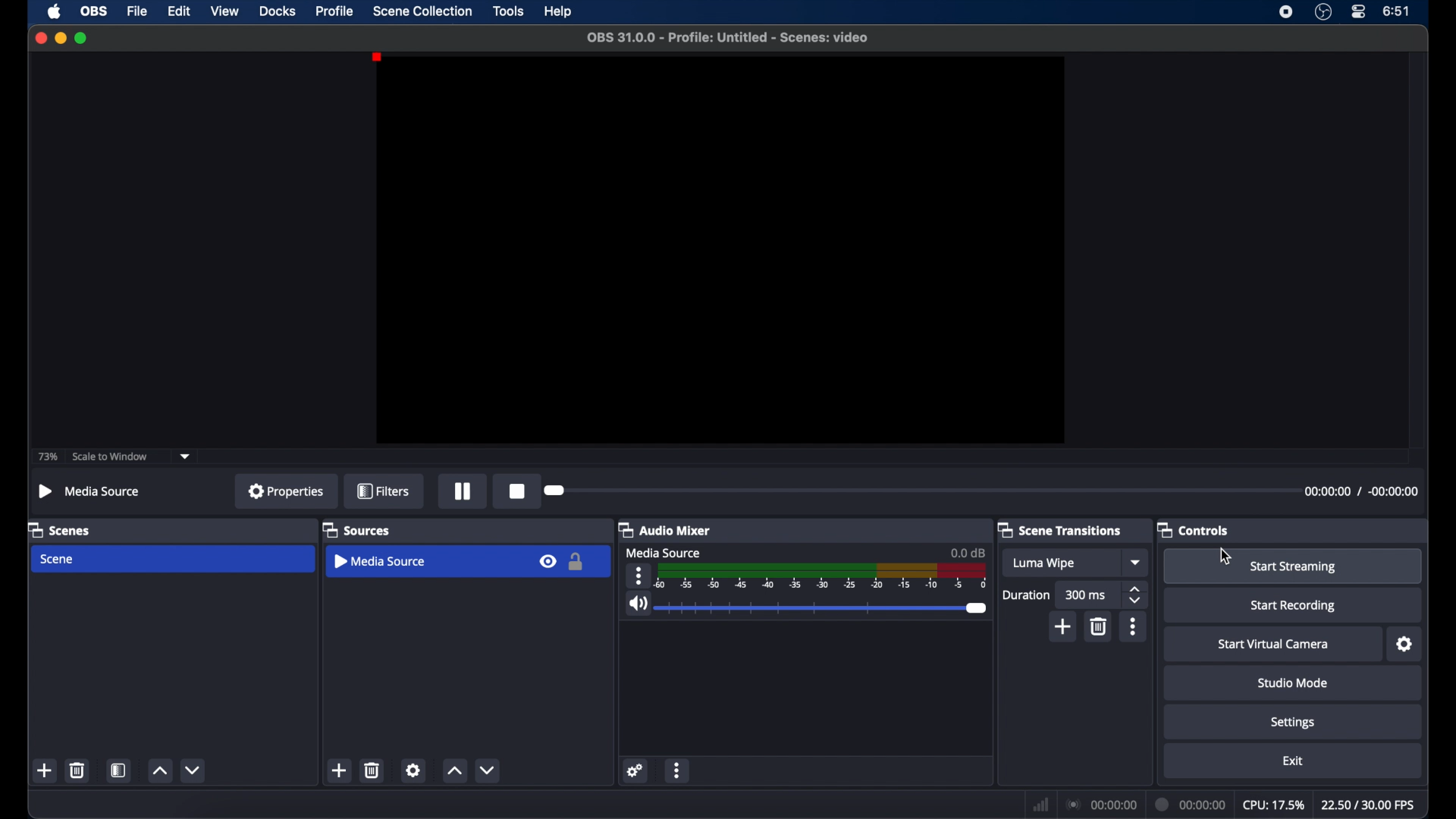 The width and height of the screenshot is (1456, 819). Describe the element at coordinates (373, 770) in the screenshot. I see `delete` at that location.